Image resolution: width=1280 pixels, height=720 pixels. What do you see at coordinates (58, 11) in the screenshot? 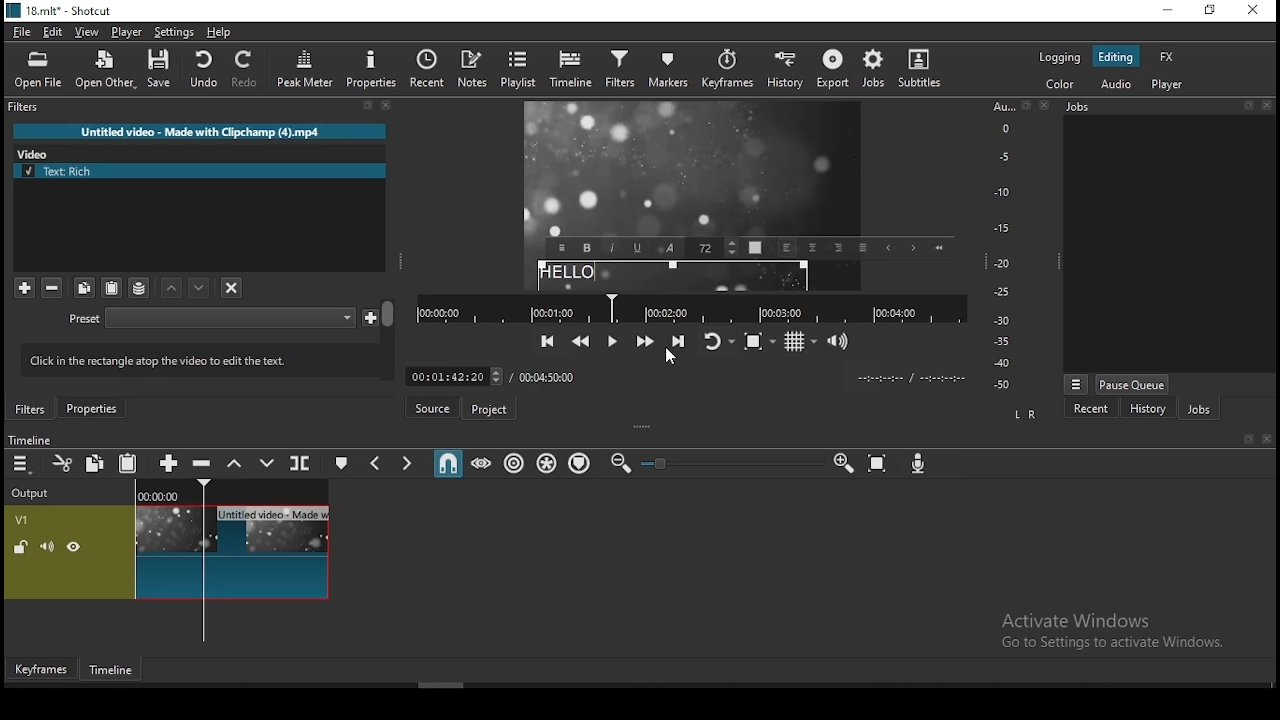
I see `icon and file name` at bounding box center [58, 11].